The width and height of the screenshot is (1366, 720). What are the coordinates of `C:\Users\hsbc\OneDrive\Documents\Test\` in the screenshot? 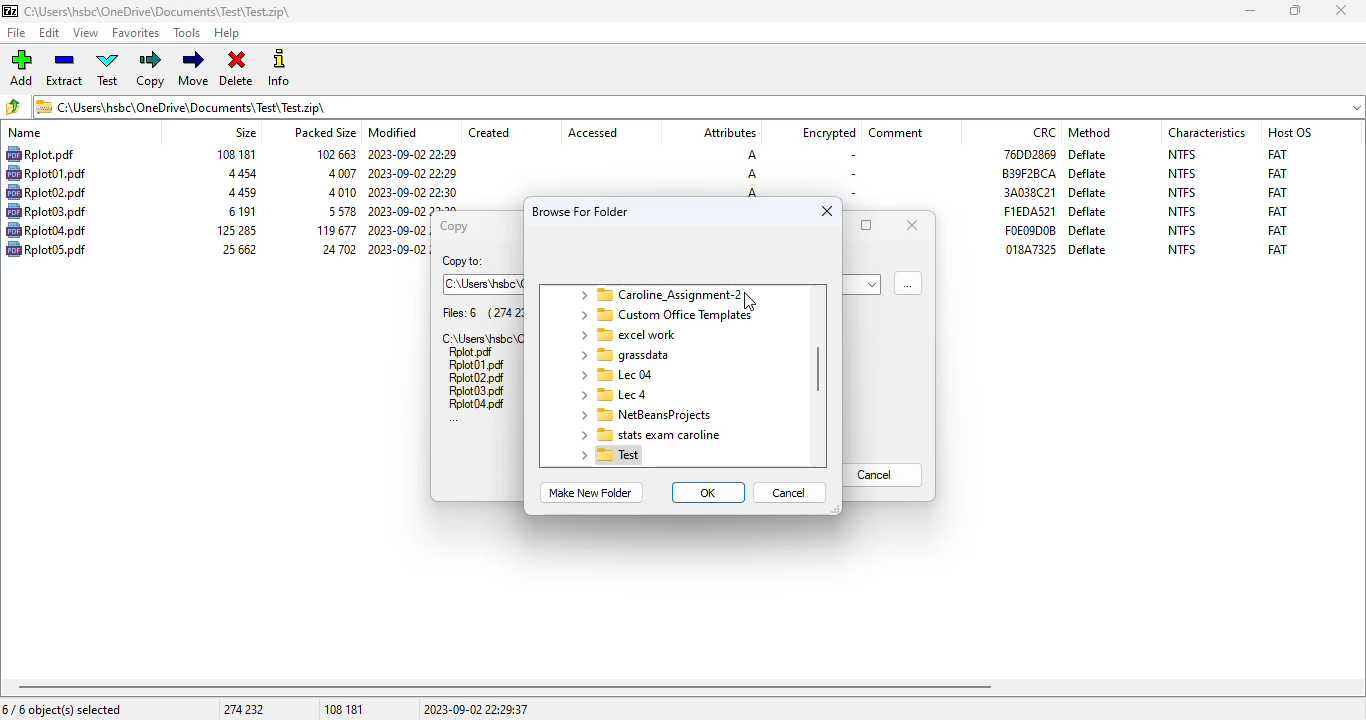 It's located at (484, 284).